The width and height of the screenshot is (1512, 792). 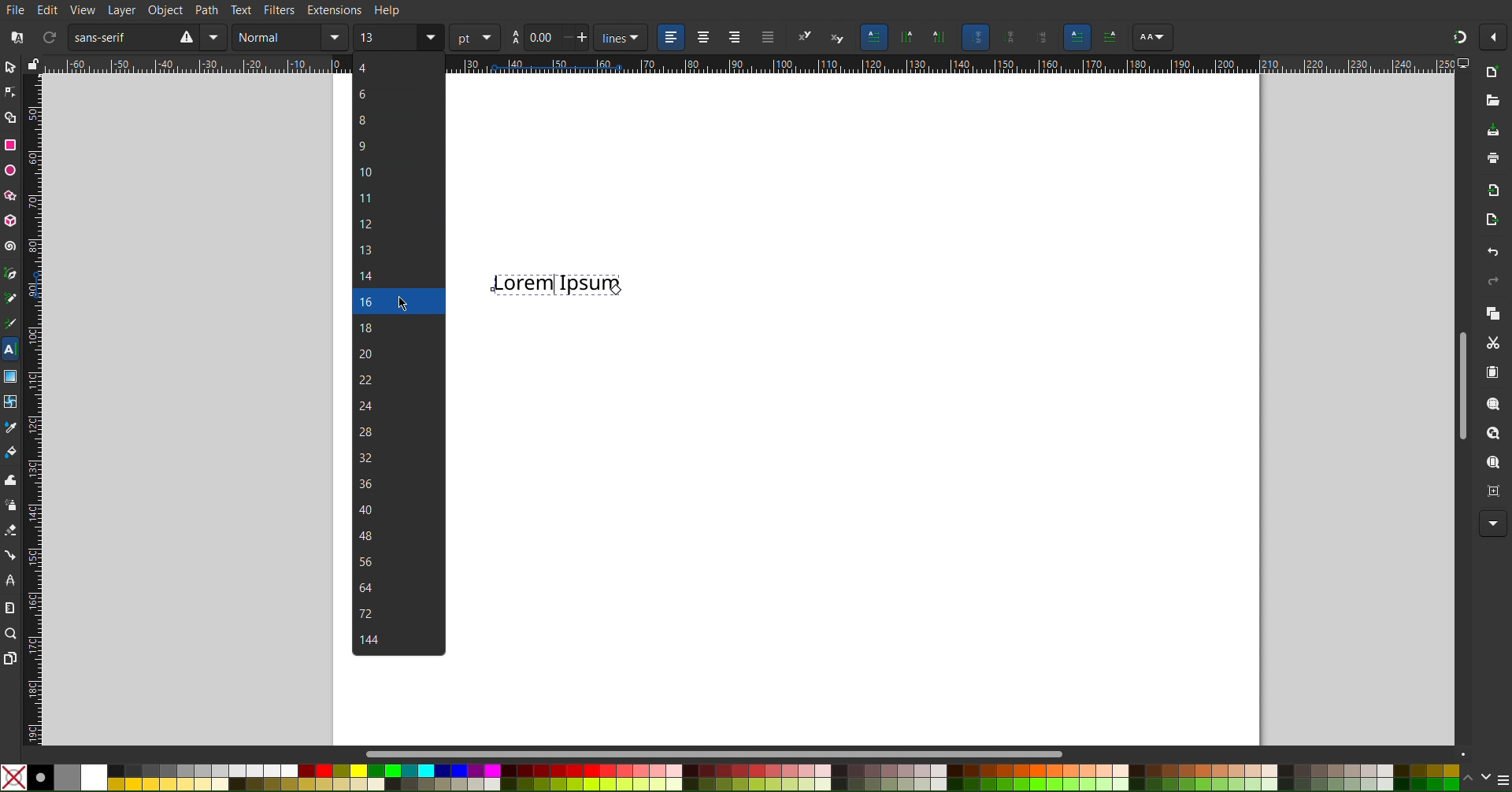 What do you see at coordinates (185, 37) in the screenshot?
I see `warning` at bounding box center [185, 37].